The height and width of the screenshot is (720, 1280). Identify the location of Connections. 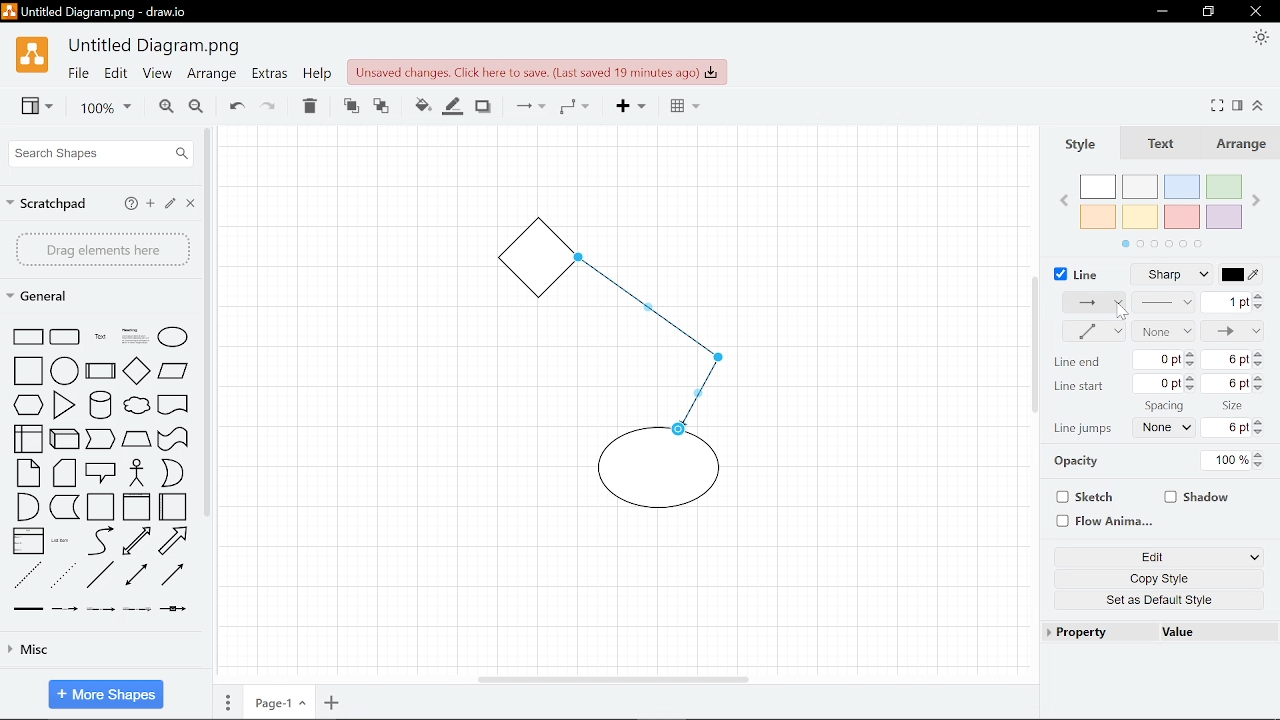
(528, 107).